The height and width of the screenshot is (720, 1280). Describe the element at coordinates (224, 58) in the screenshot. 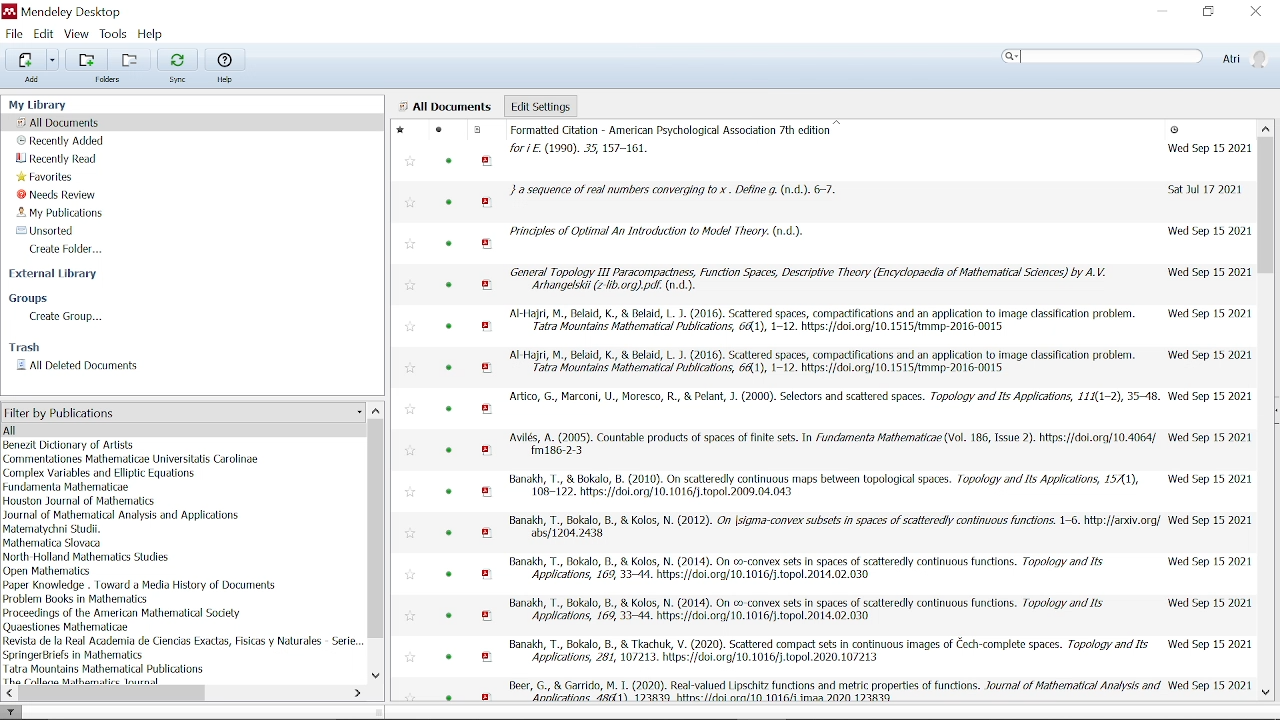

I see `Help` at that location.